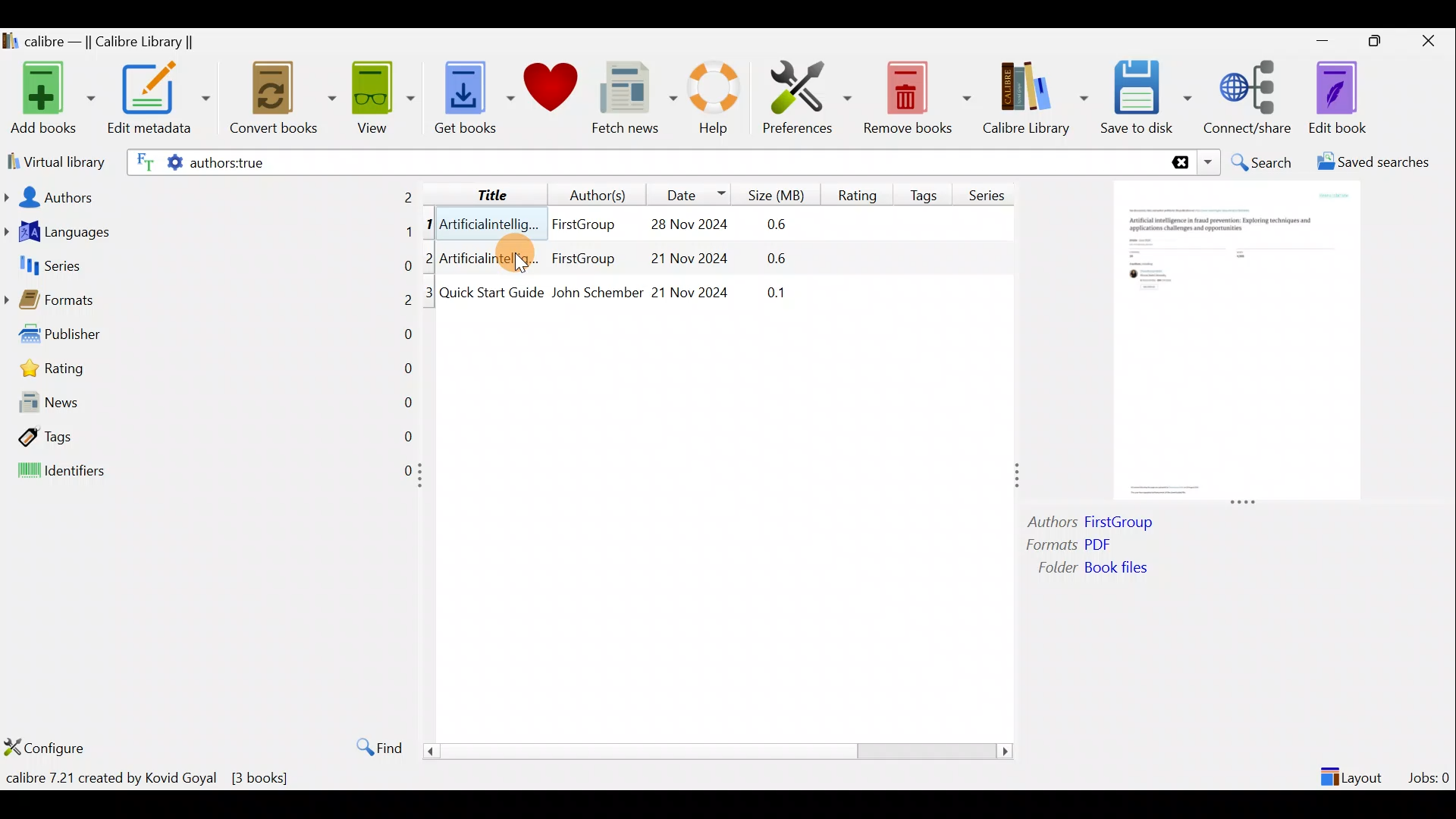 The height and width of the screenshot is (819, 1456). I want to click on Edit book, so click(1335, 99).